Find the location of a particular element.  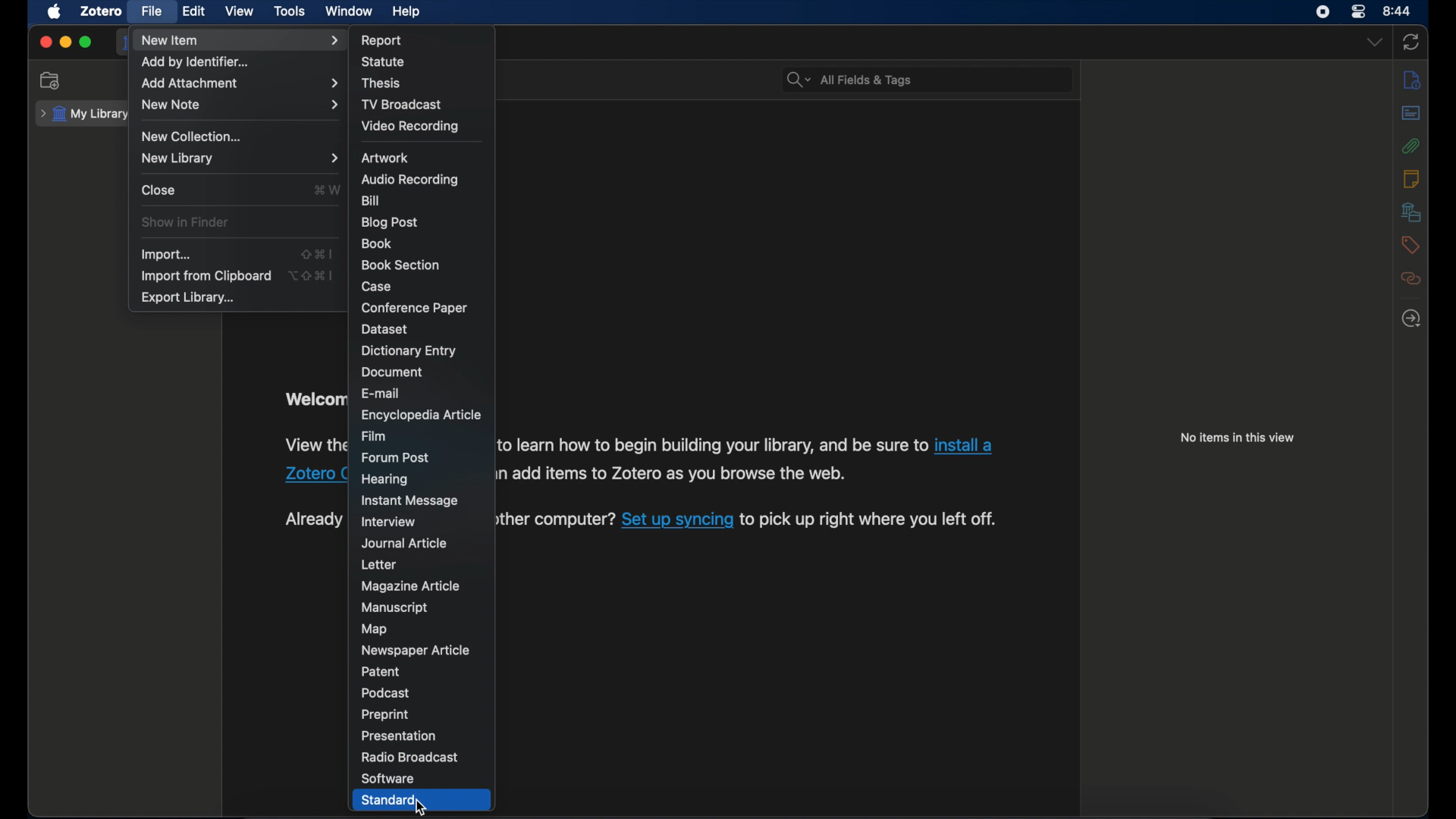

artwork is located at coordinates (383, 158).